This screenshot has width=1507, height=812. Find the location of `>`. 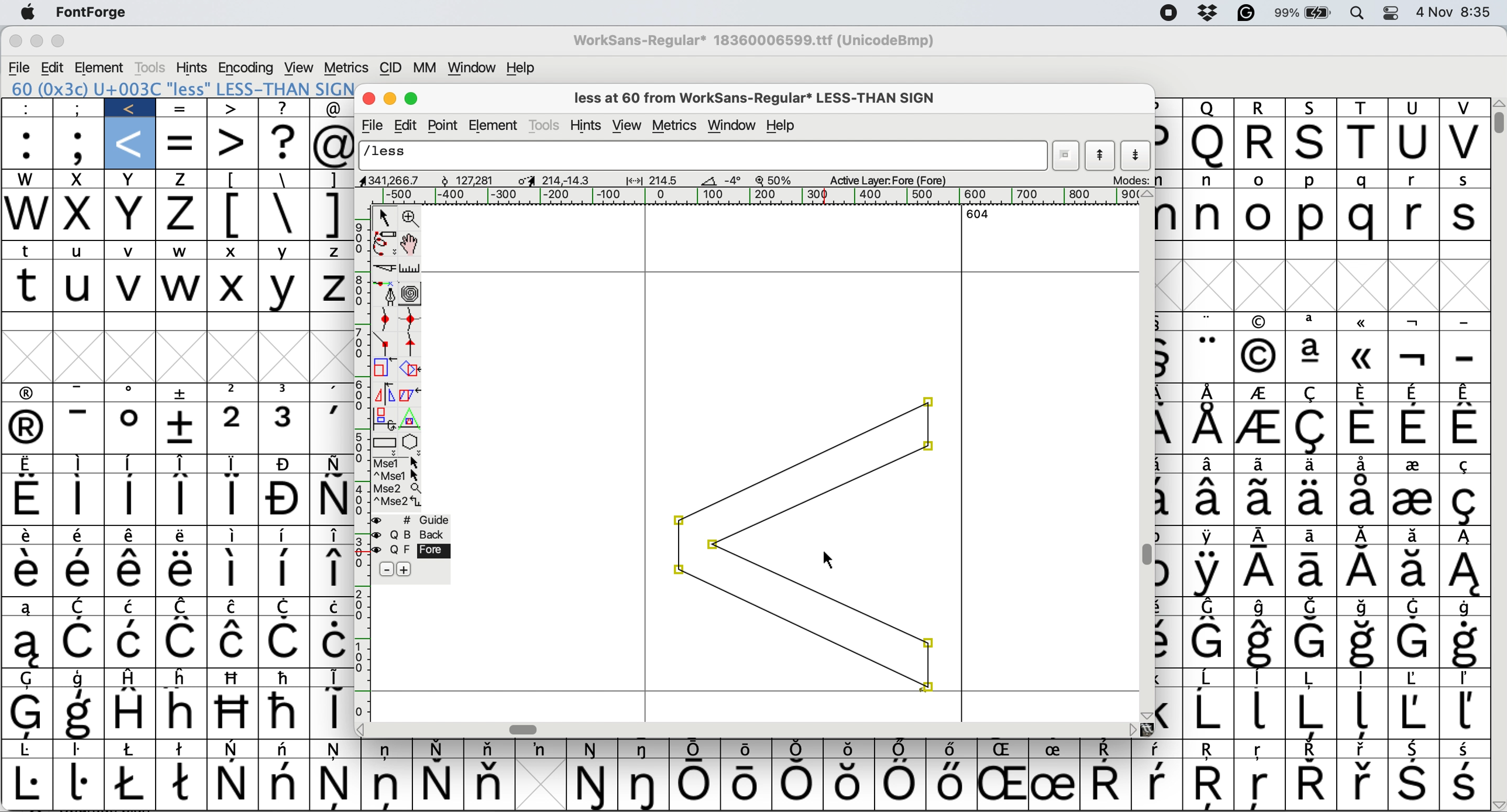

> is located at coordinates (233, 144).